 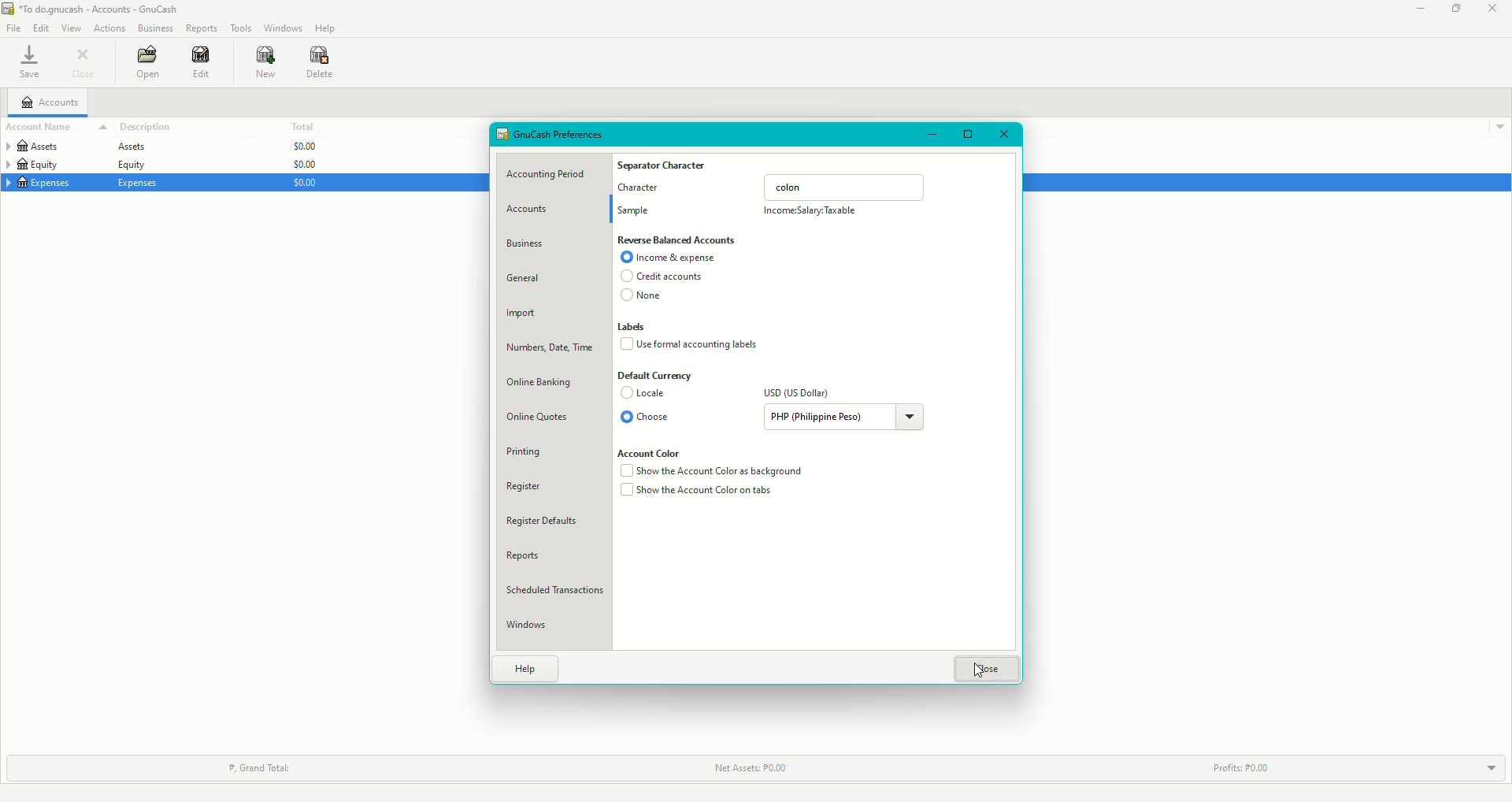 What do you see at coordinates (203, 63) in the screenshot?
I see `Edit` at bounding box center [203, 63].